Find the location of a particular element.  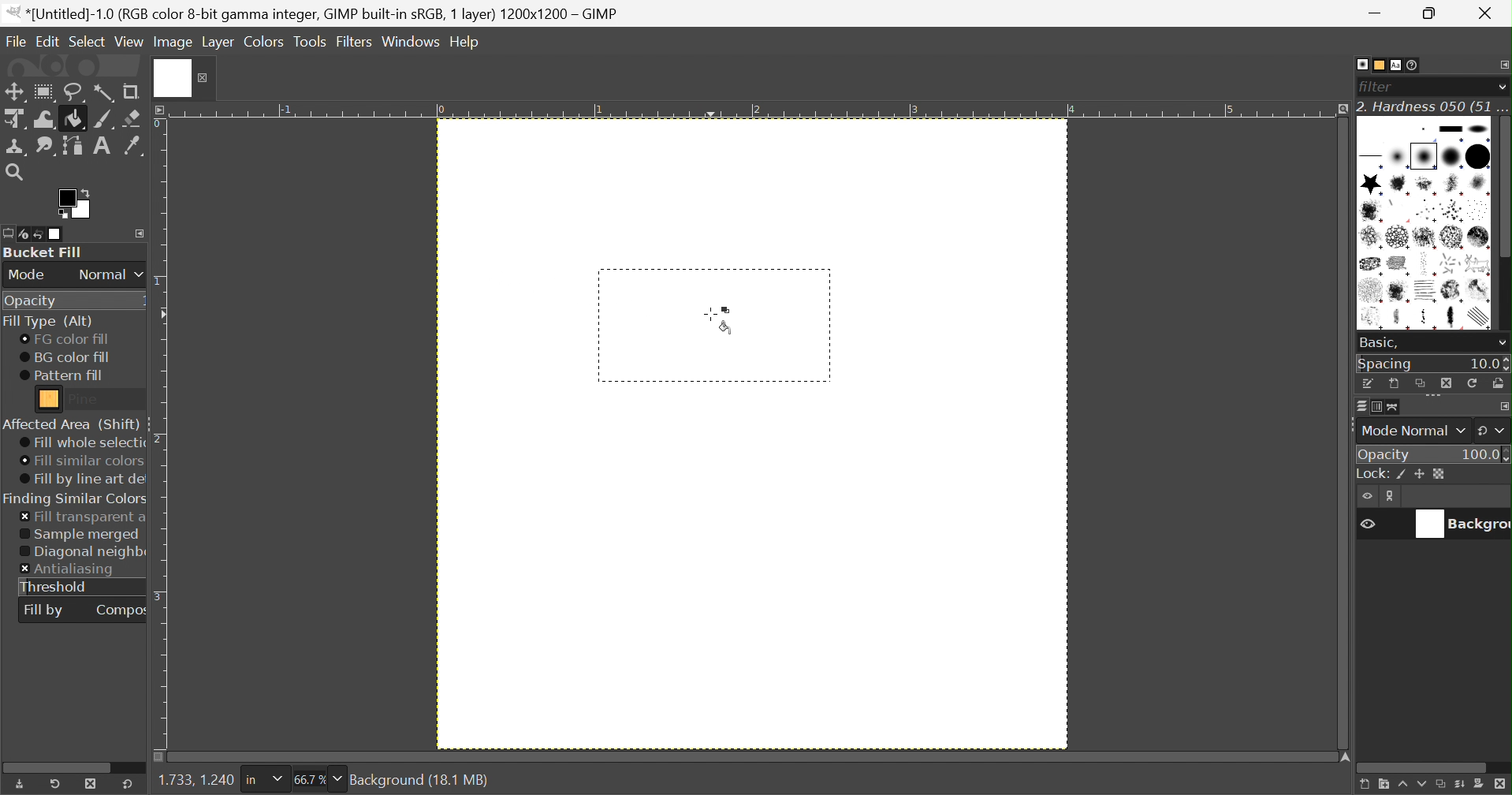

10.0 is located at coordinates (1489, 364).